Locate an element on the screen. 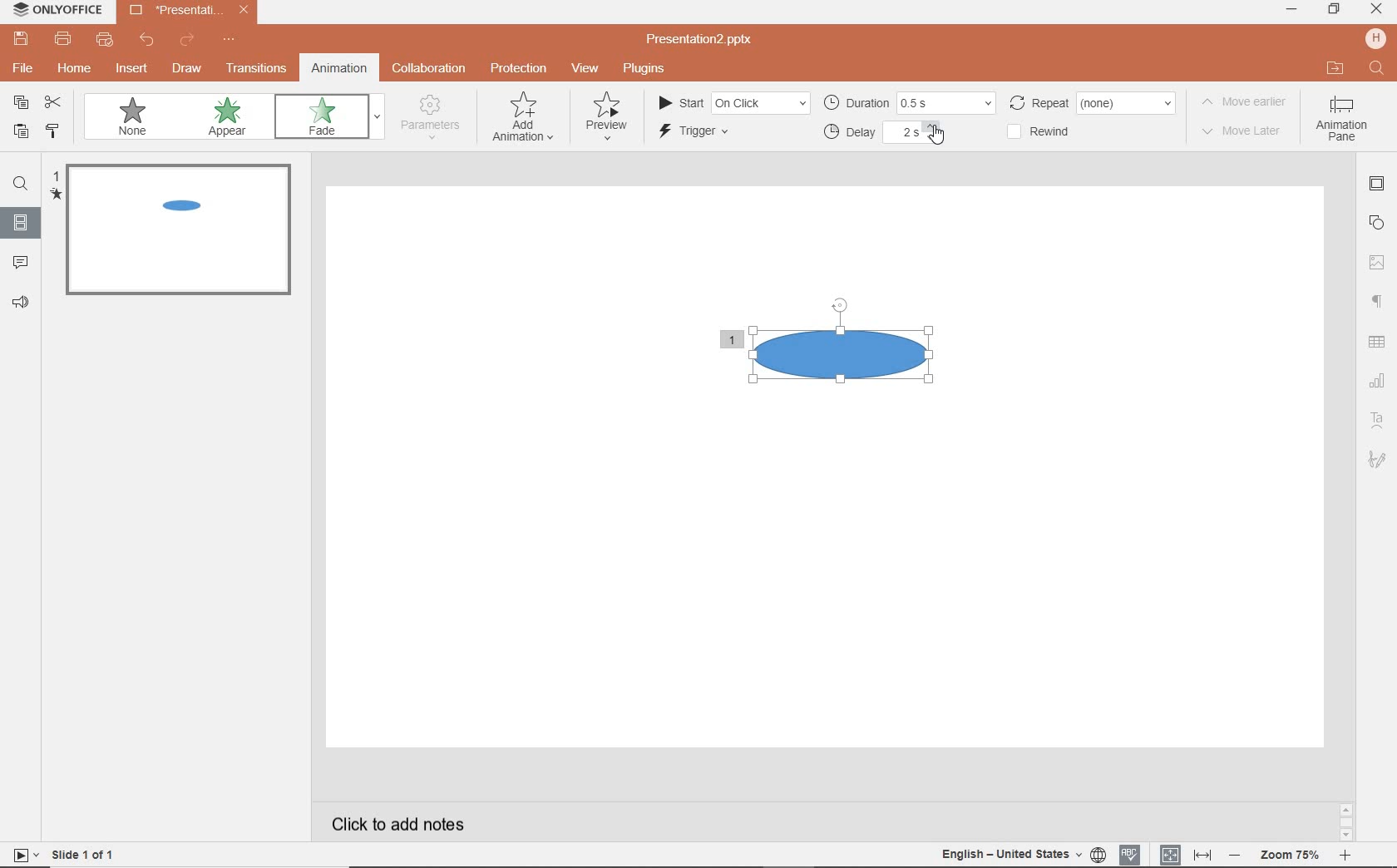  Presentation2.pptx is located at coordinates (188, 12).